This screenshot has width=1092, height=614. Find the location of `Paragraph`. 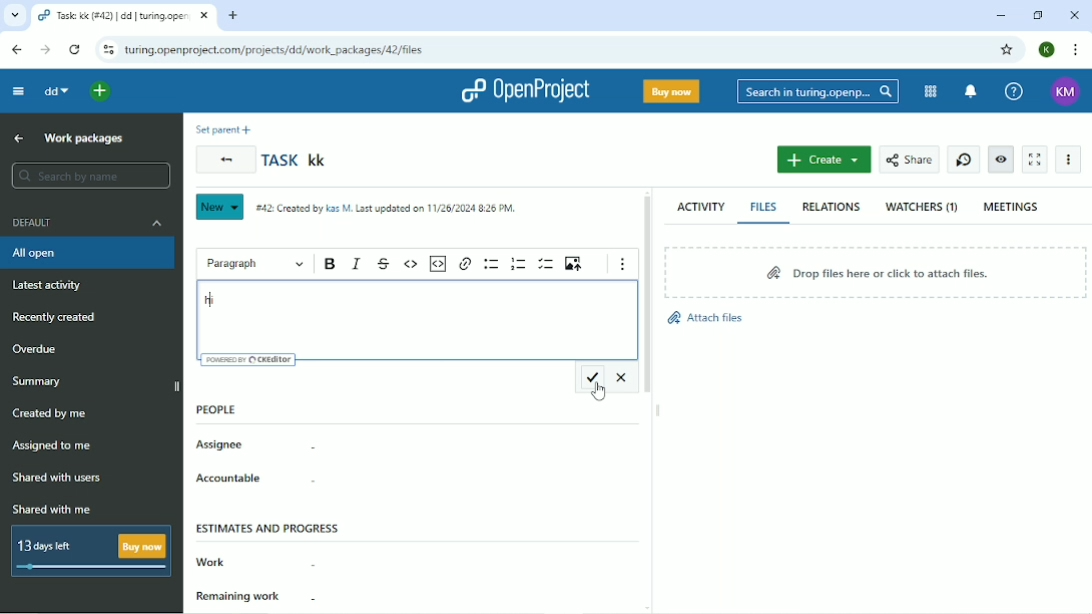

Paragraph is located at coordinates (255, 265).